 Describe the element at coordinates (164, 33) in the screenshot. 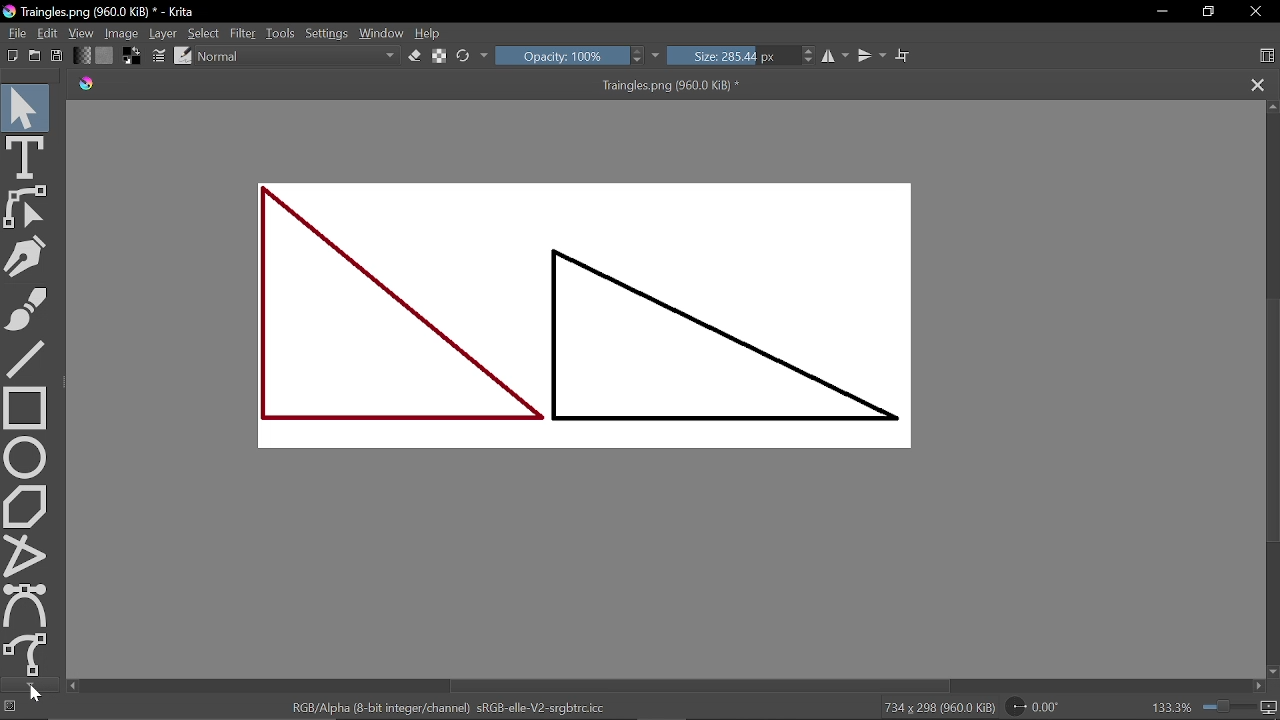

I see `Layer` at that location.